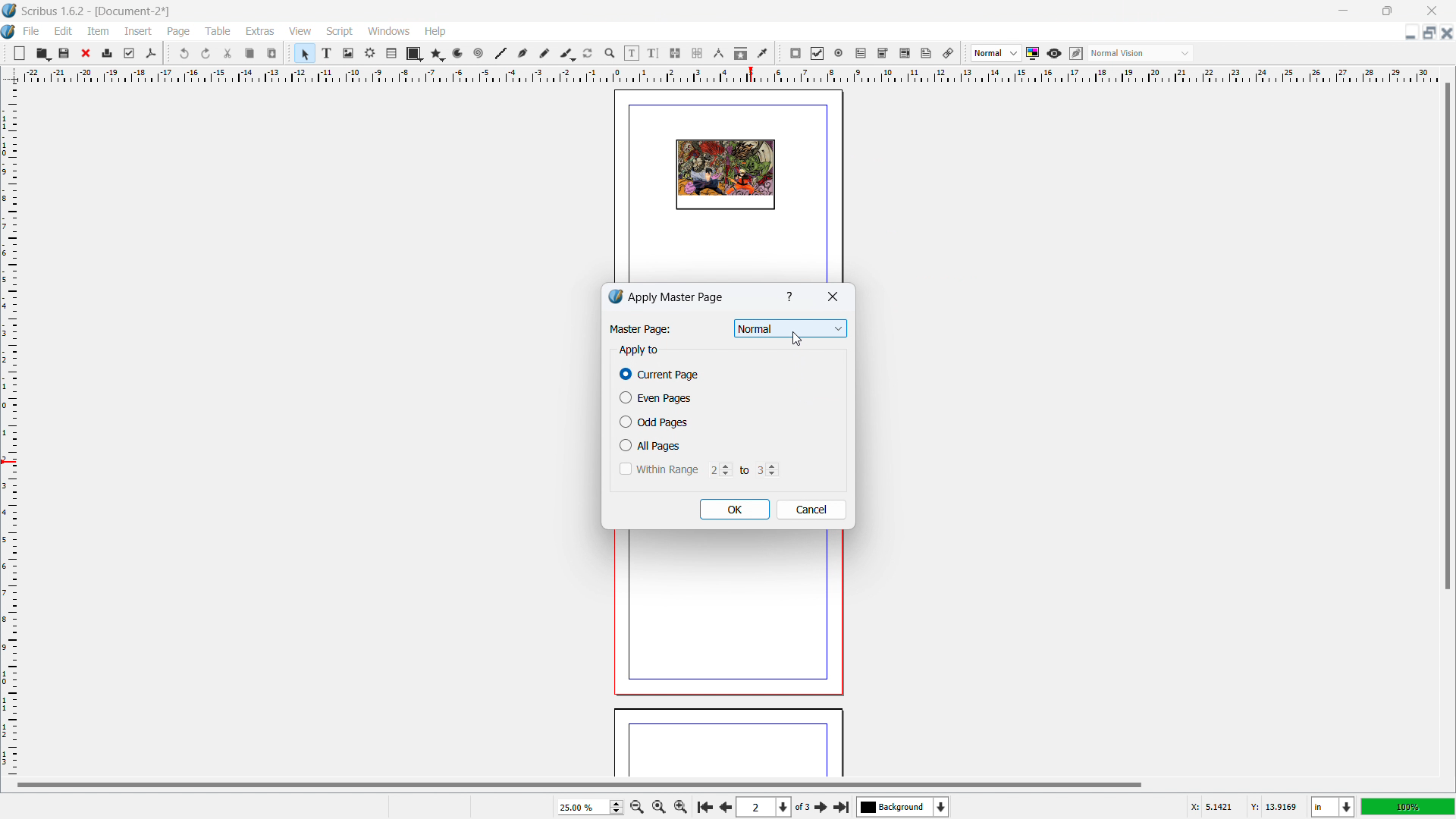 Image resolution: width=1456 pixels, height=819 pixels. What do you see at coordinates (251, 53) in the screenshot?
I see `copy` at bounding box center [251, 53].